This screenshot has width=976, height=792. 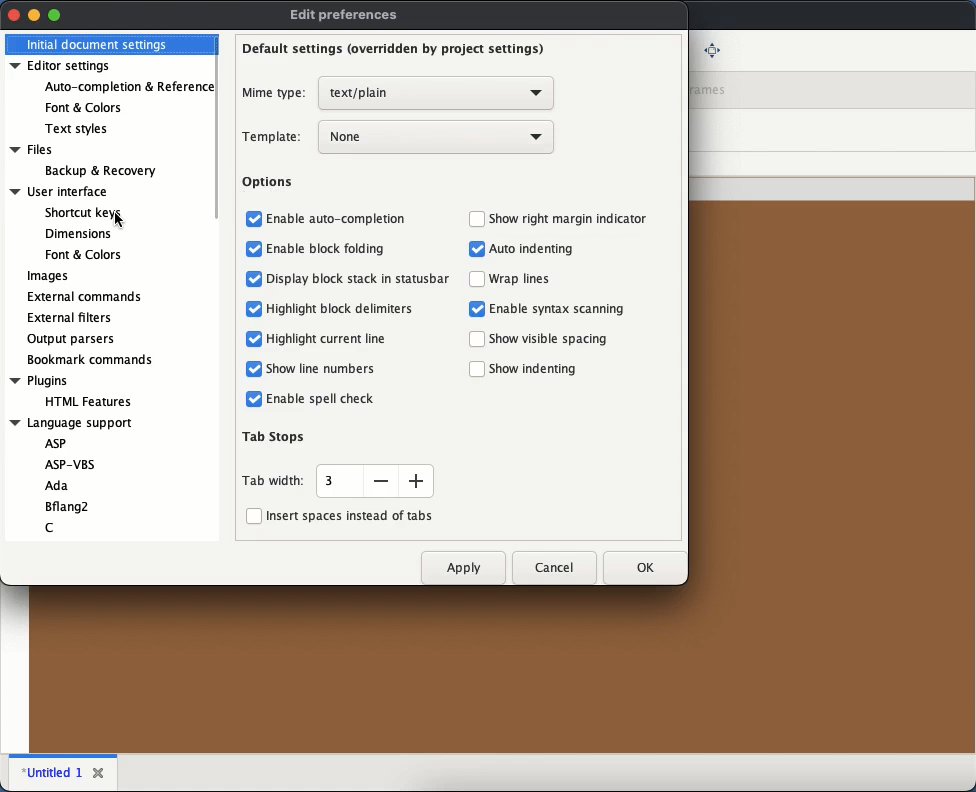 What do you see at coordinates (111, 172) in the screenshot?
I see `Backup & Recovery` at bounding box center [111, 172].